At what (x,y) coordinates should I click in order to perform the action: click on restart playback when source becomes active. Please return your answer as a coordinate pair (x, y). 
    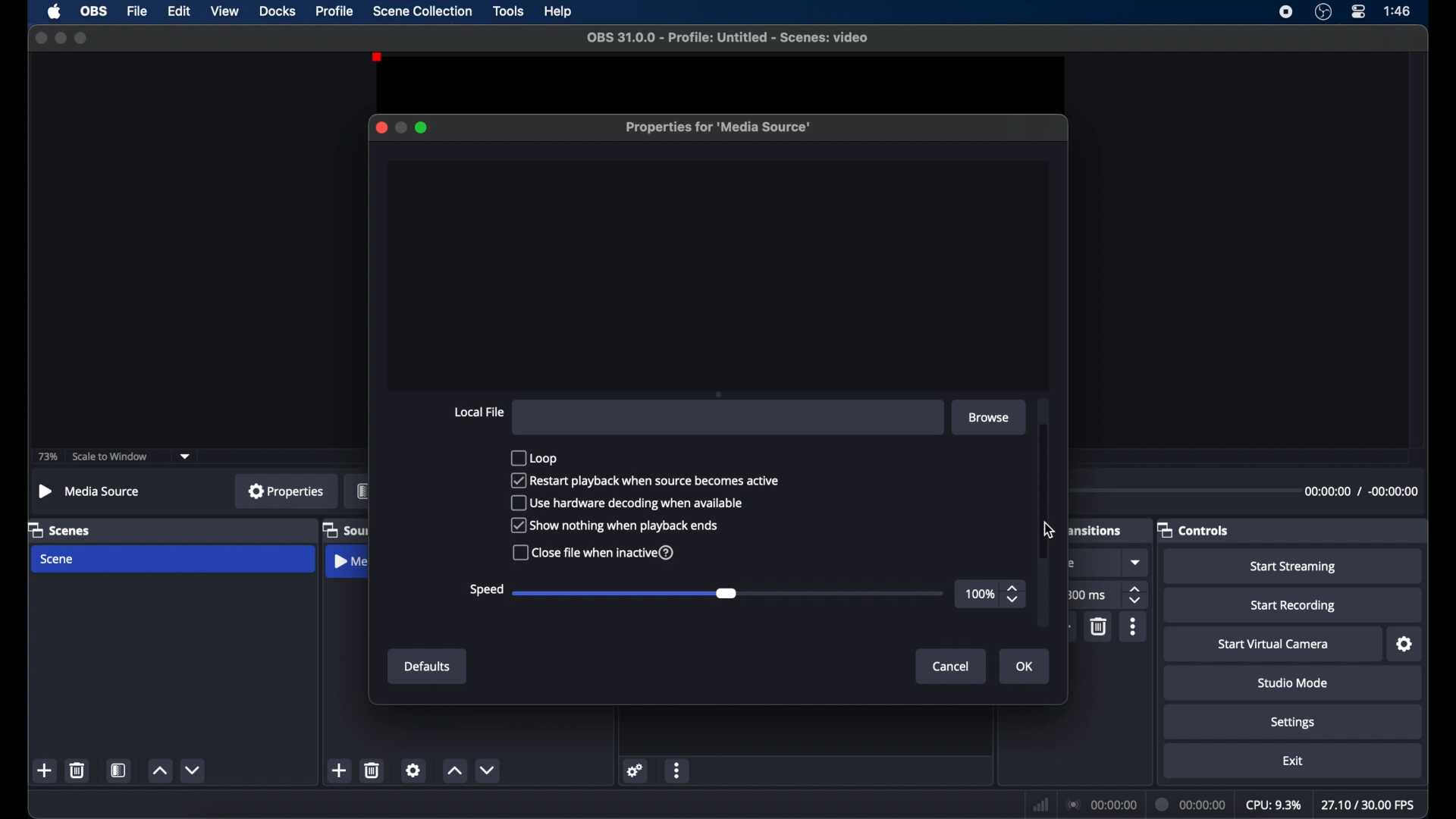
    Looking at the image, I should click on (645, 480).